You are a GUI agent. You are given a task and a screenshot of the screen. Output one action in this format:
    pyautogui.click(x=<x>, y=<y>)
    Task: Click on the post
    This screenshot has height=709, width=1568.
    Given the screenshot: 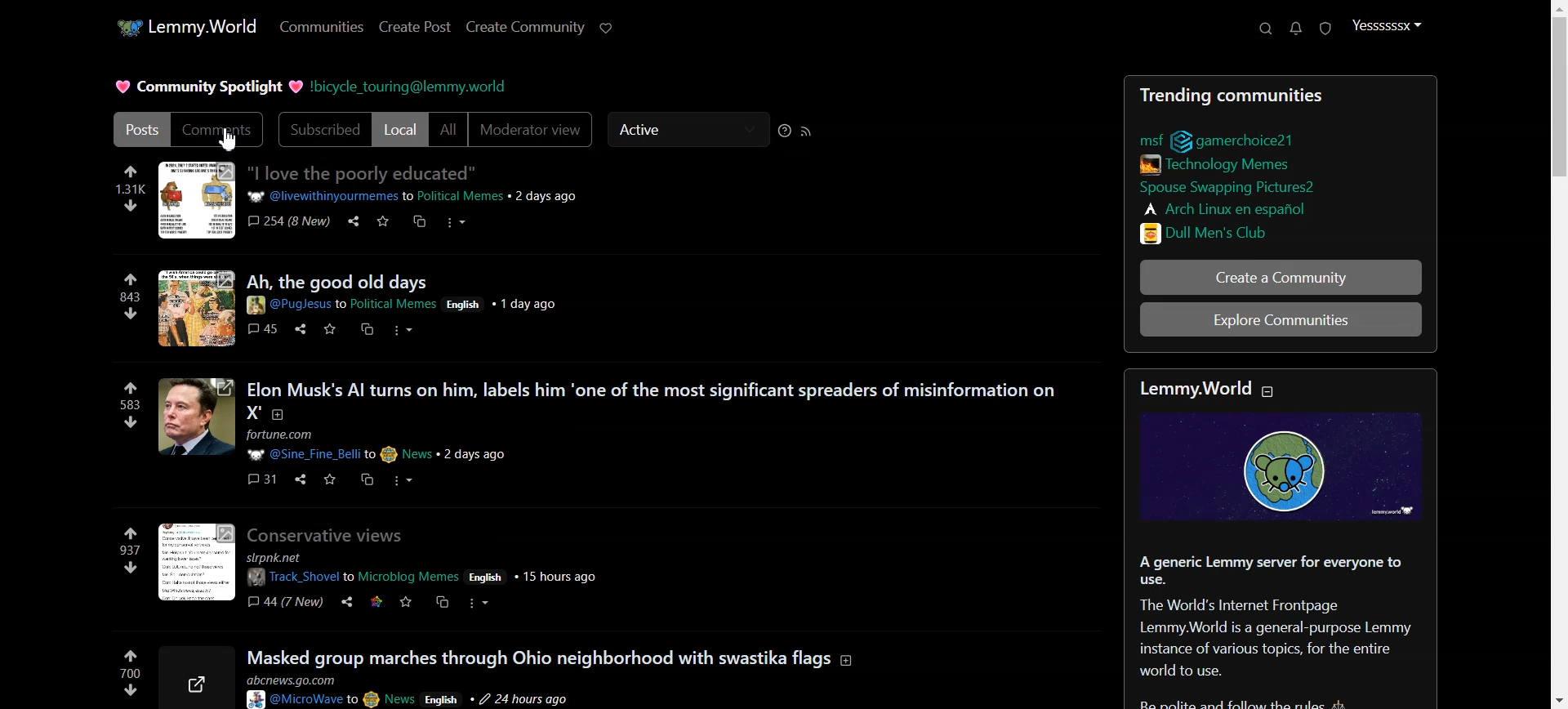 What is the action you would take?
    pyautogui.click(x=330, y=537)
    